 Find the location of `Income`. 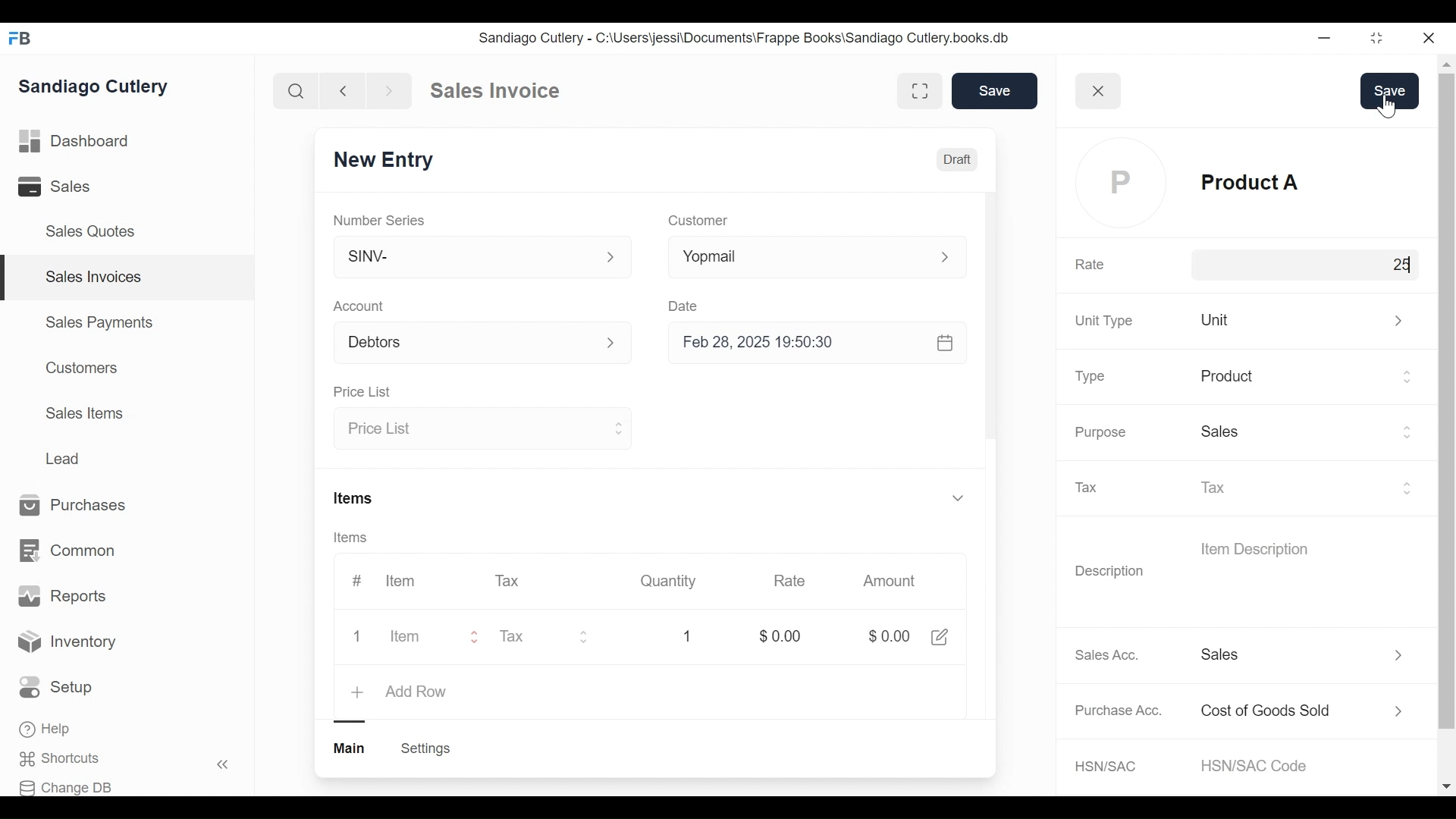

Income is located at coordinates (1307, 654).